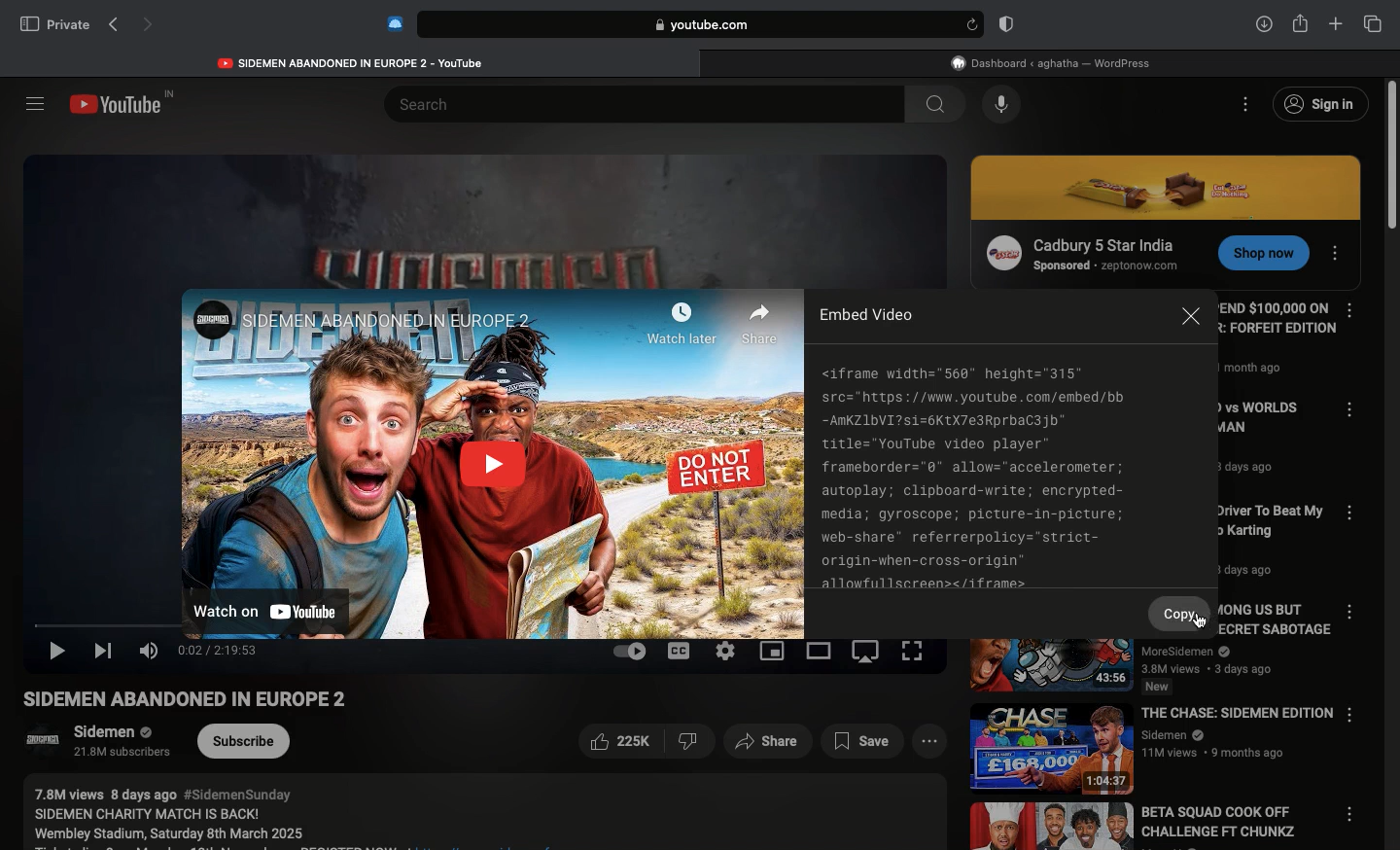 Image resolution: width=1400 pixels, height=850 pixels. What do you see at coordinates (1263, 541) in the screenshot?
I see `Video name` at bounding box center [1263, 541].